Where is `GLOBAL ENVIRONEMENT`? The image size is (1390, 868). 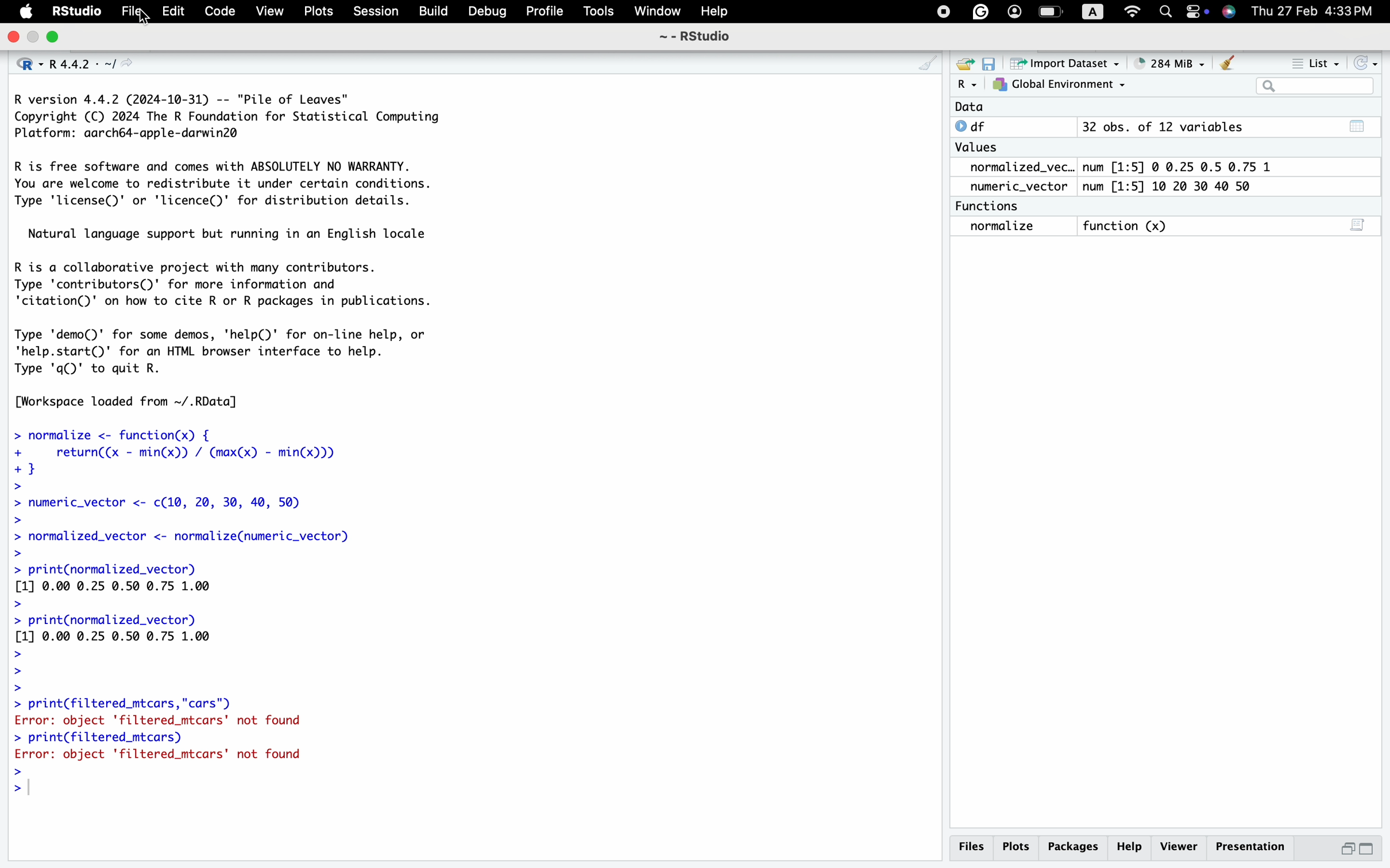 GLOBAL ENVIRONEMENT is located at coordinates (1059, 87).